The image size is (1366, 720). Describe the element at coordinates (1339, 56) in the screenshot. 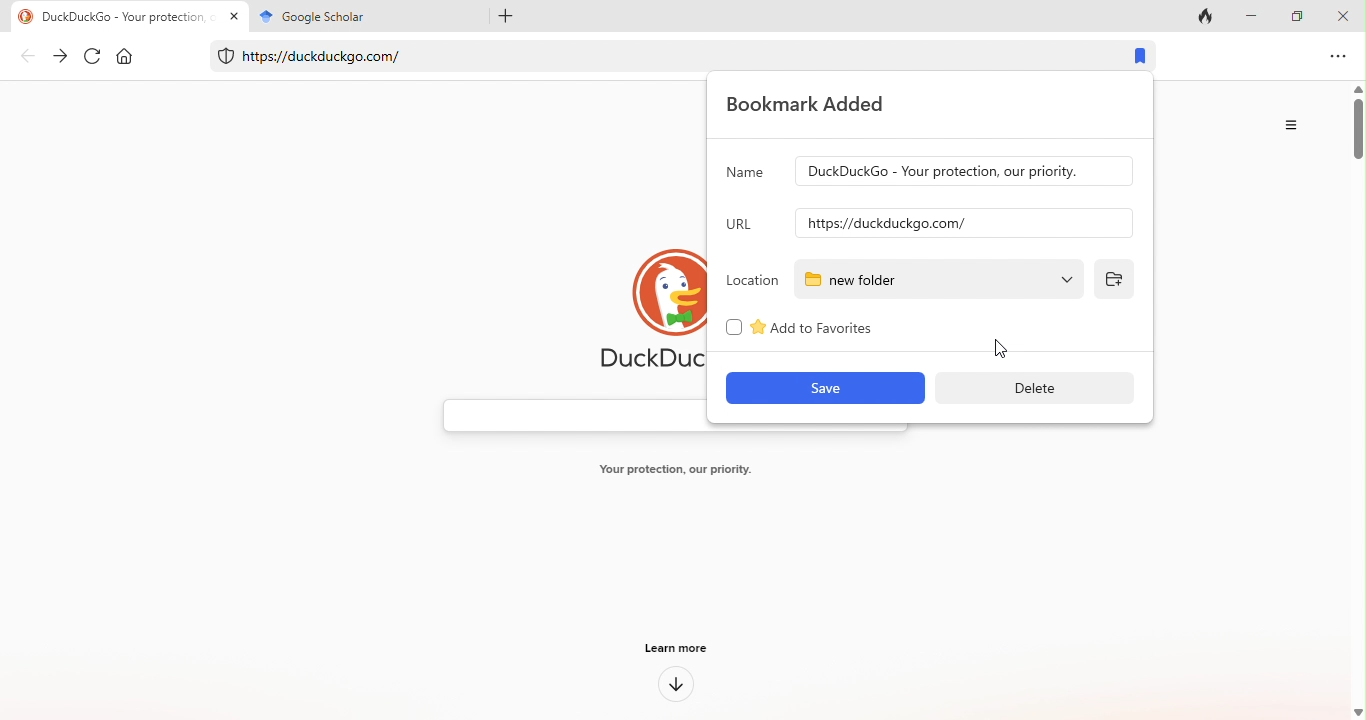

I see `options` at that location.